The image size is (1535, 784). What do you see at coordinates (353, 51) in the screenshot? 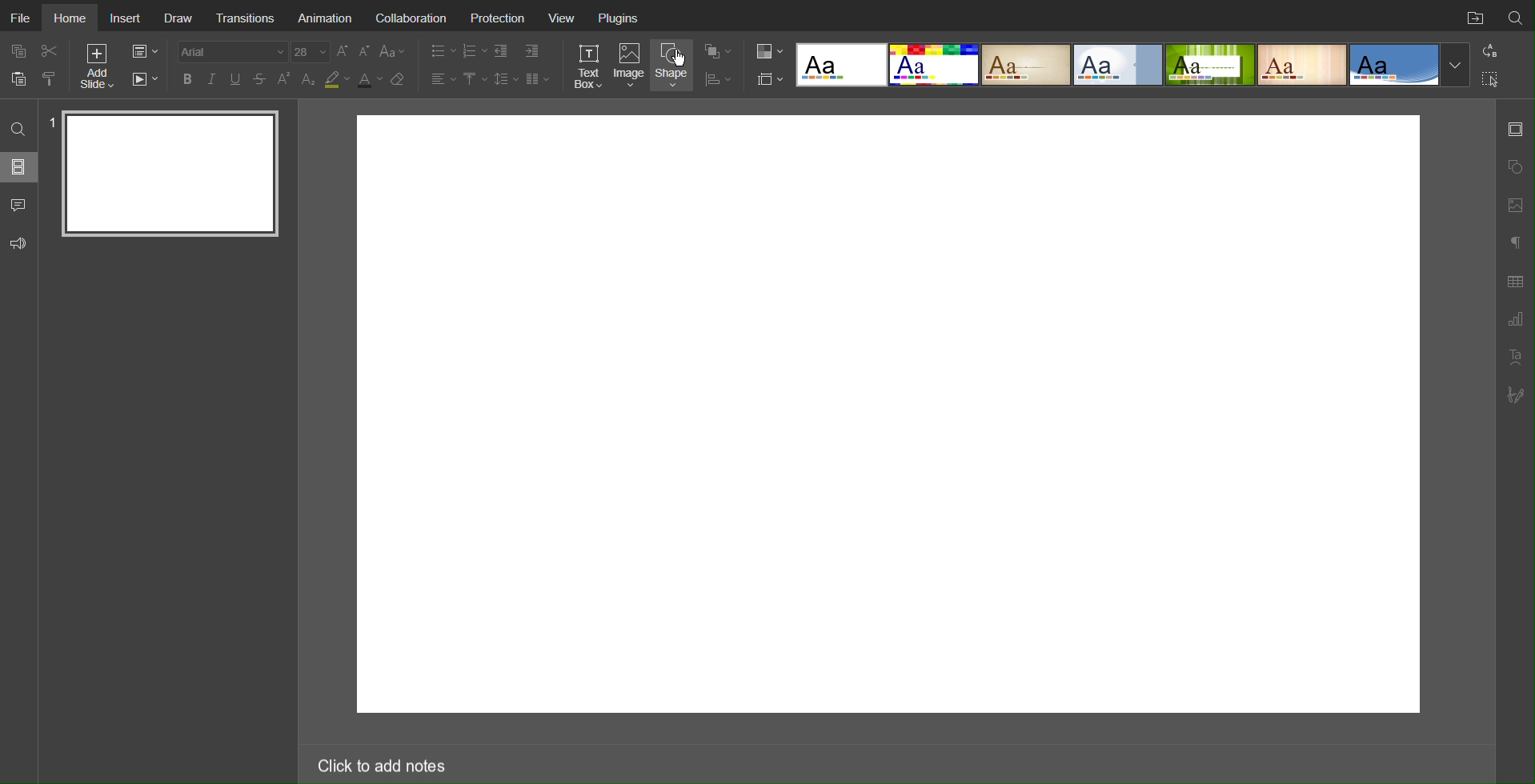
I see `Font Size` at bounding box center [353, 51].